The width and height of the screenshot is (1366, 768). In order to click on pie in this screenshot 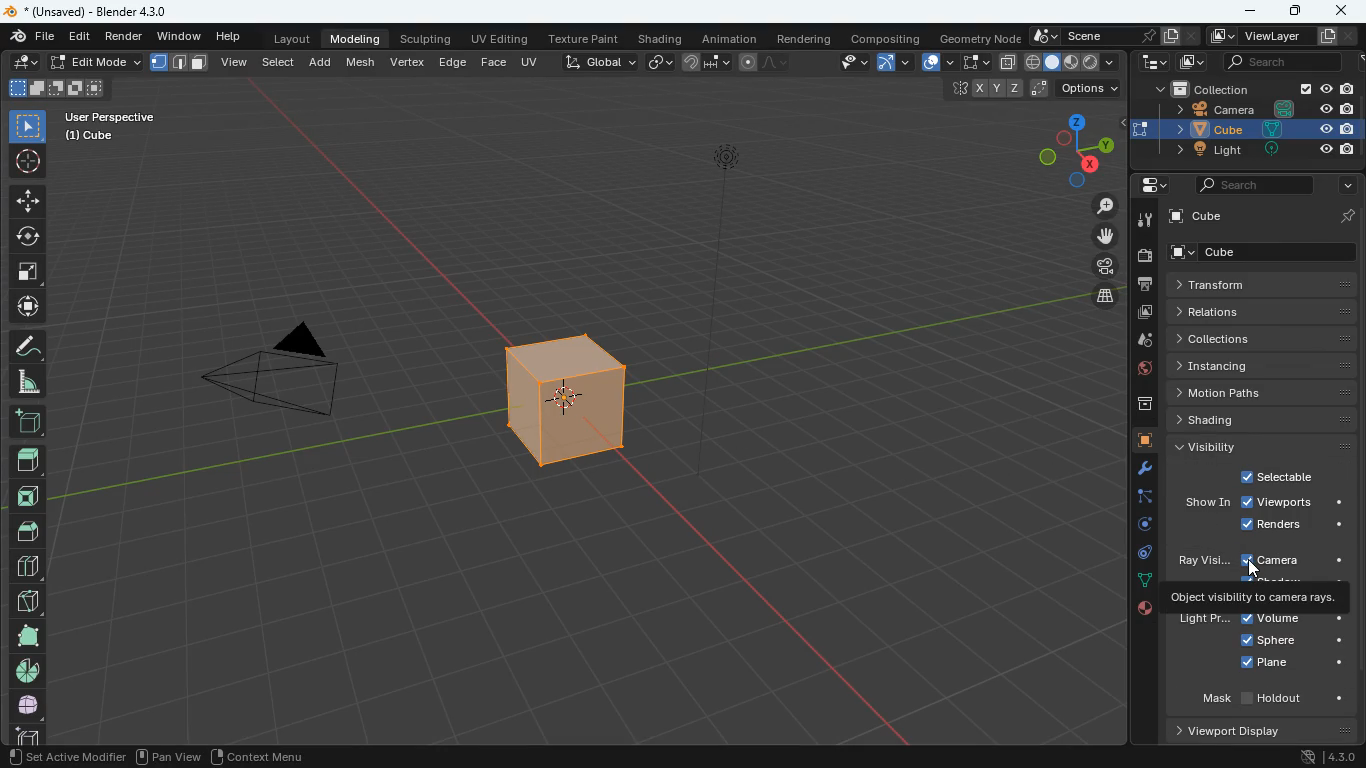, I will do `click(27, 673)`.